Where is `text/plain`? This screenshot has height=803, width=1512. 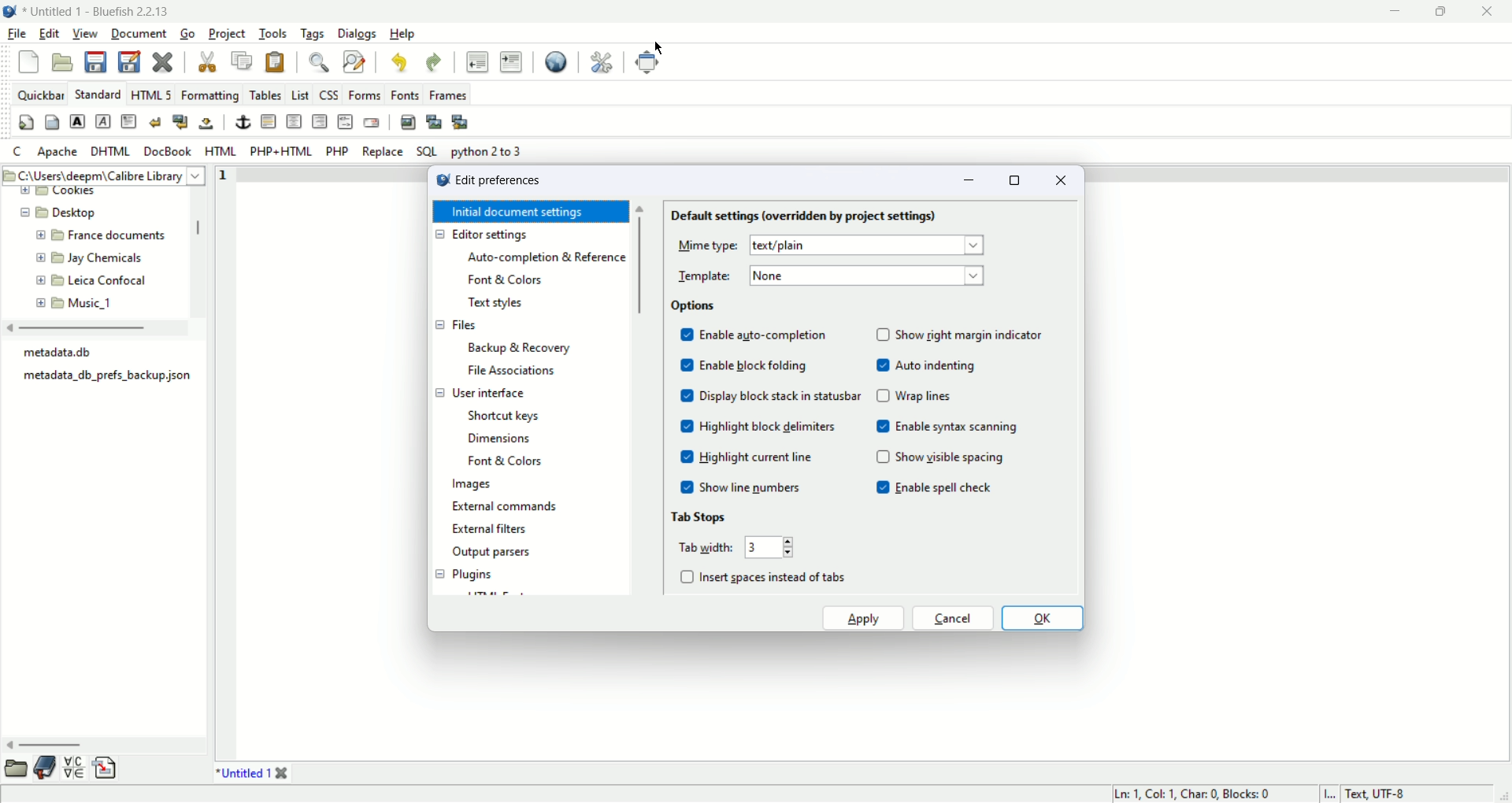 text/plain is located at coordinates (873, 246).